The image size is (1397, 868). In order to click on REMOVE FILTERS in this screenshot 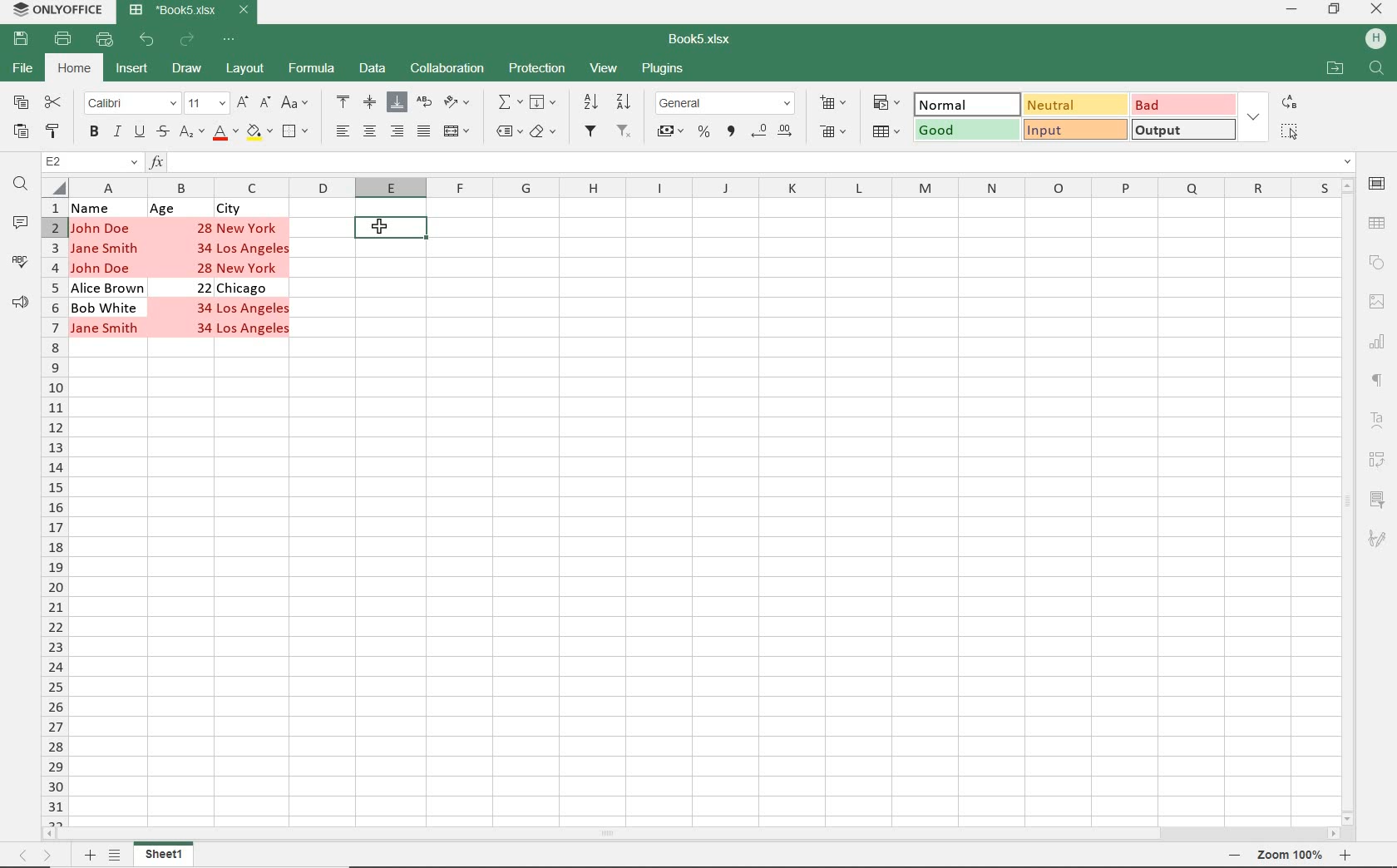, I will do `click(627, 133)`.